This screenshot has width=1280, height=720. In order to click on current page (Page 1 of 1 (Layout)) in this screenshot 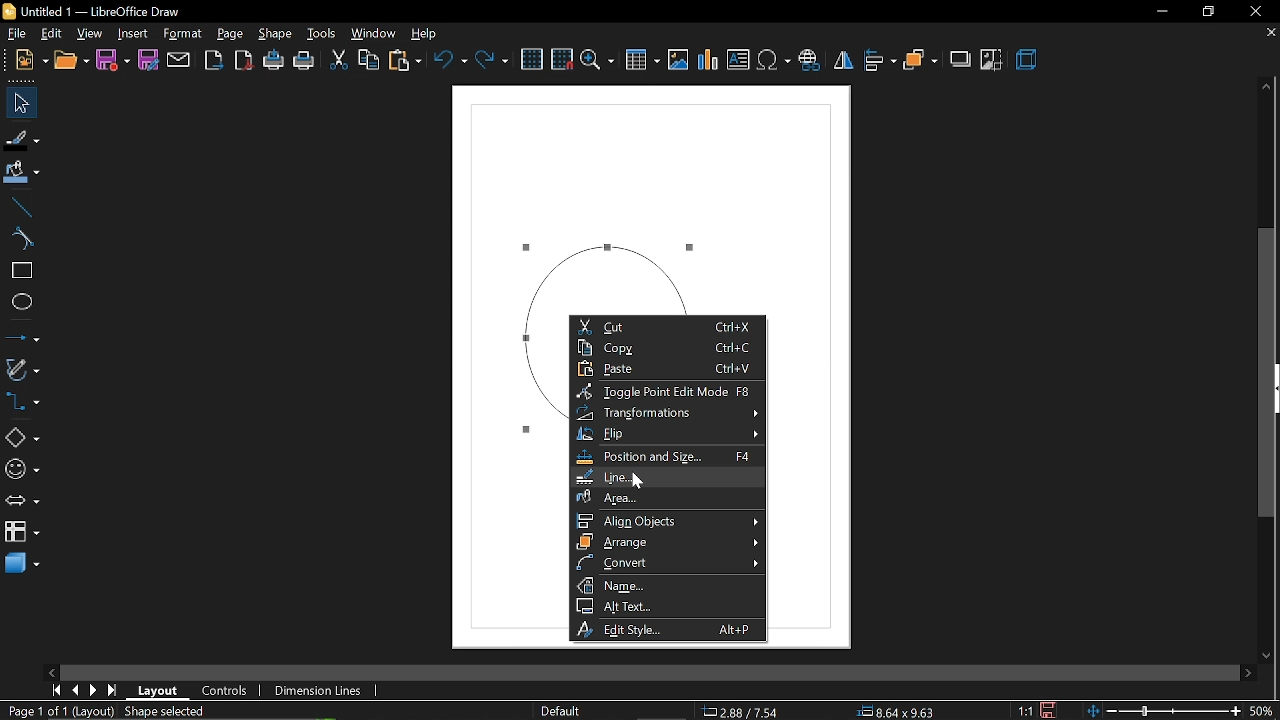, I will do `click(58, 712)`.